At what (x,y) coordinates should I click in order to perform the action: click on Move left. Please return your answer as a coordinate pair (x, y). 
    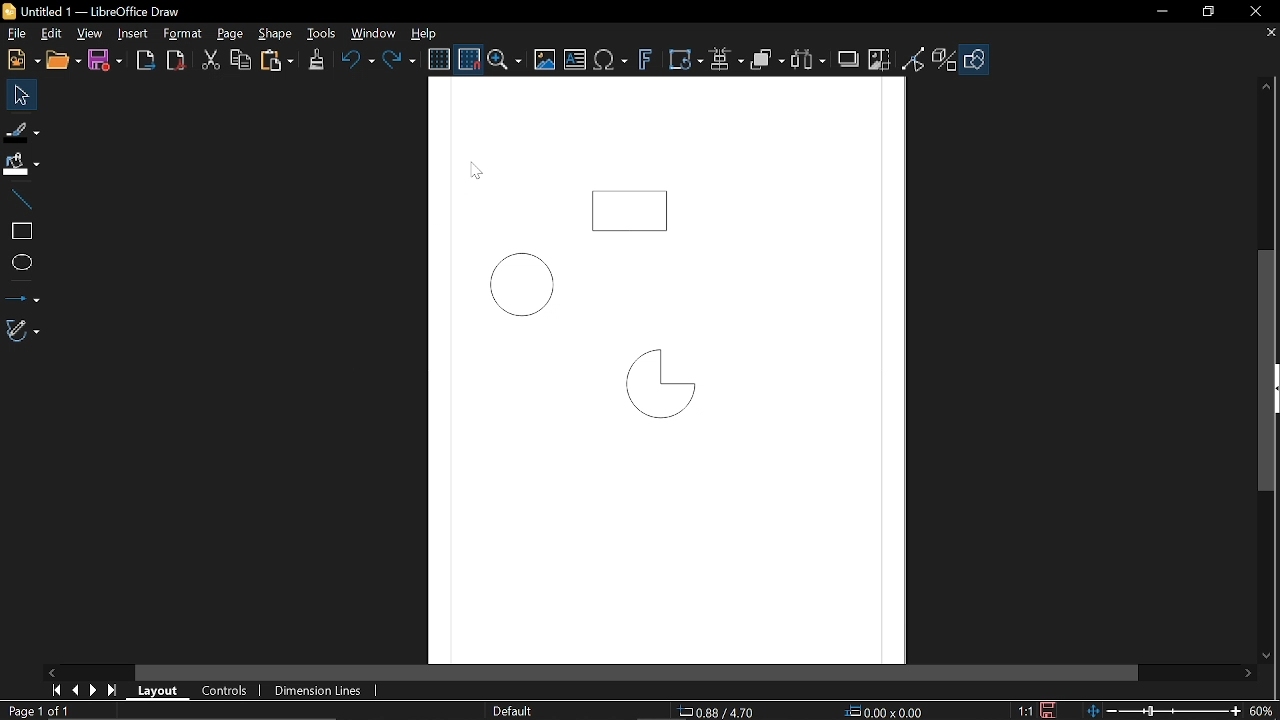
    Looking at the image, I should click on (51, 672).